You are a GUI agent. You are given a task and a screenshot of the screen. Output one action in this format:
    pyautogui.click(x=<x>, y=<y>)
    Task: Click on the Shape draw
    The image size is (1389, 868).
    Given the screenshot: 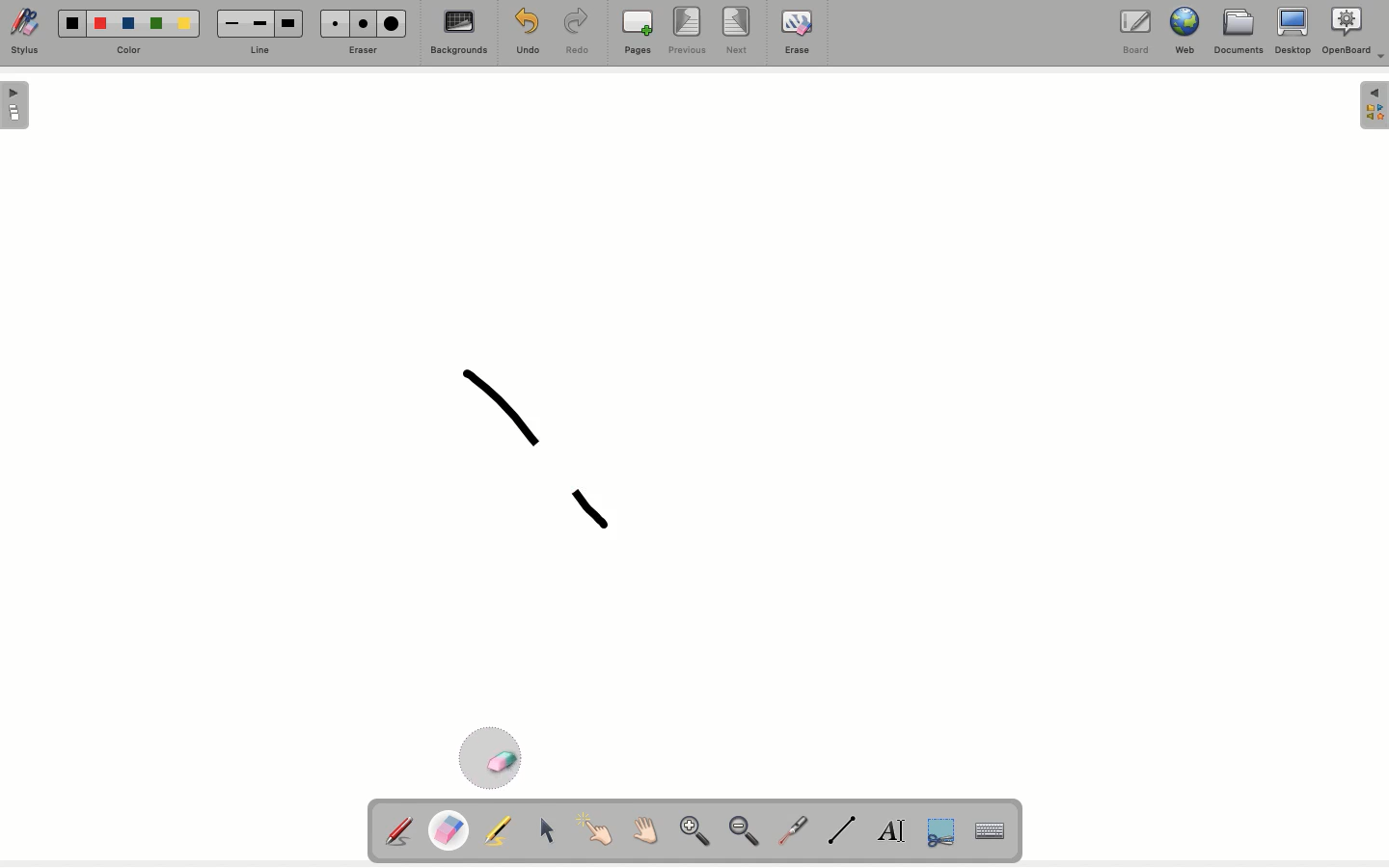 What is the action you would take?
    pyautogui.click(x=540, y=451)
    